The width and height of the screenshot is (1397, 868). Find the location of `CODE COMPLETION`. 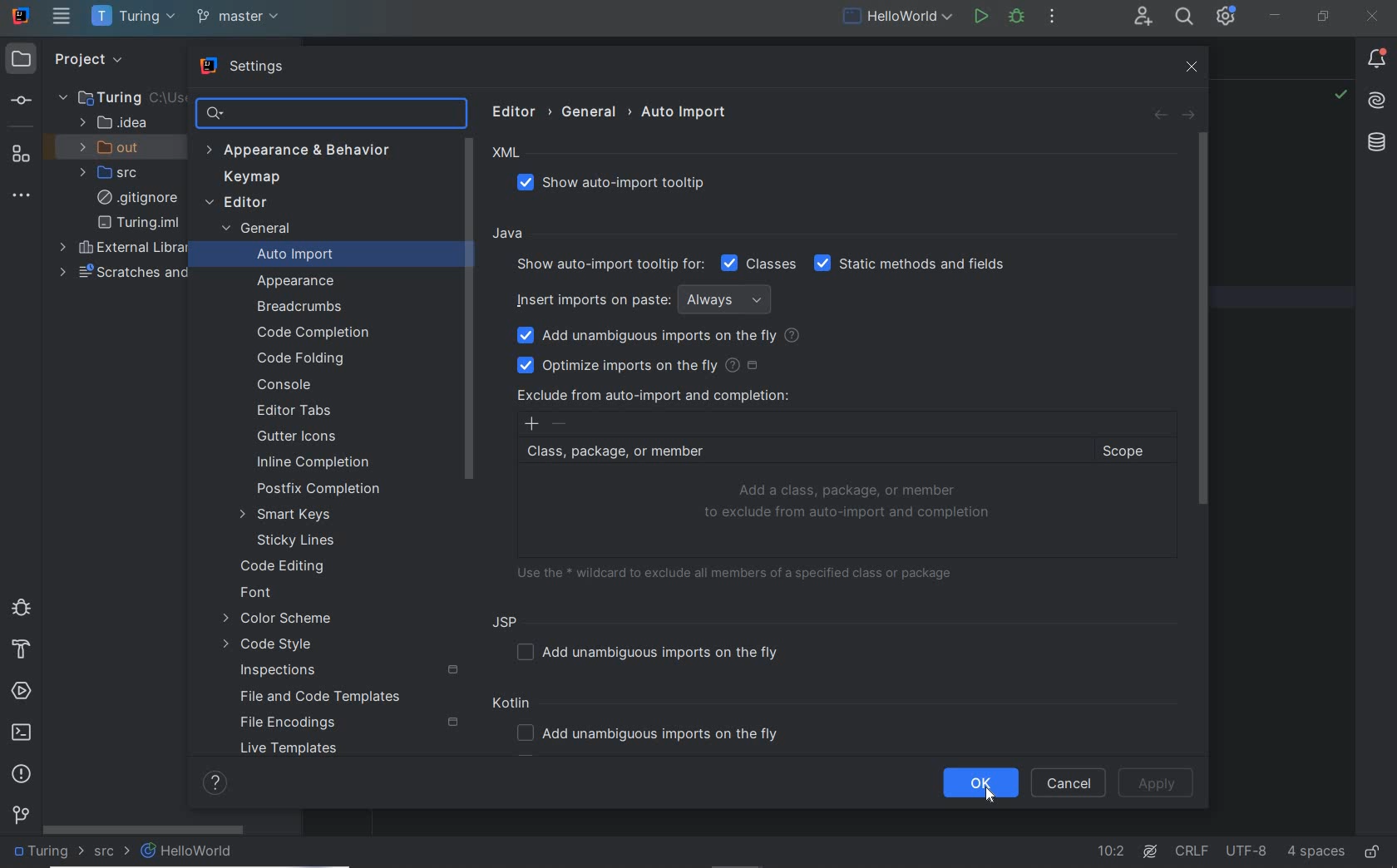

CODE COMPLETION is located at coordinates (311, 331).